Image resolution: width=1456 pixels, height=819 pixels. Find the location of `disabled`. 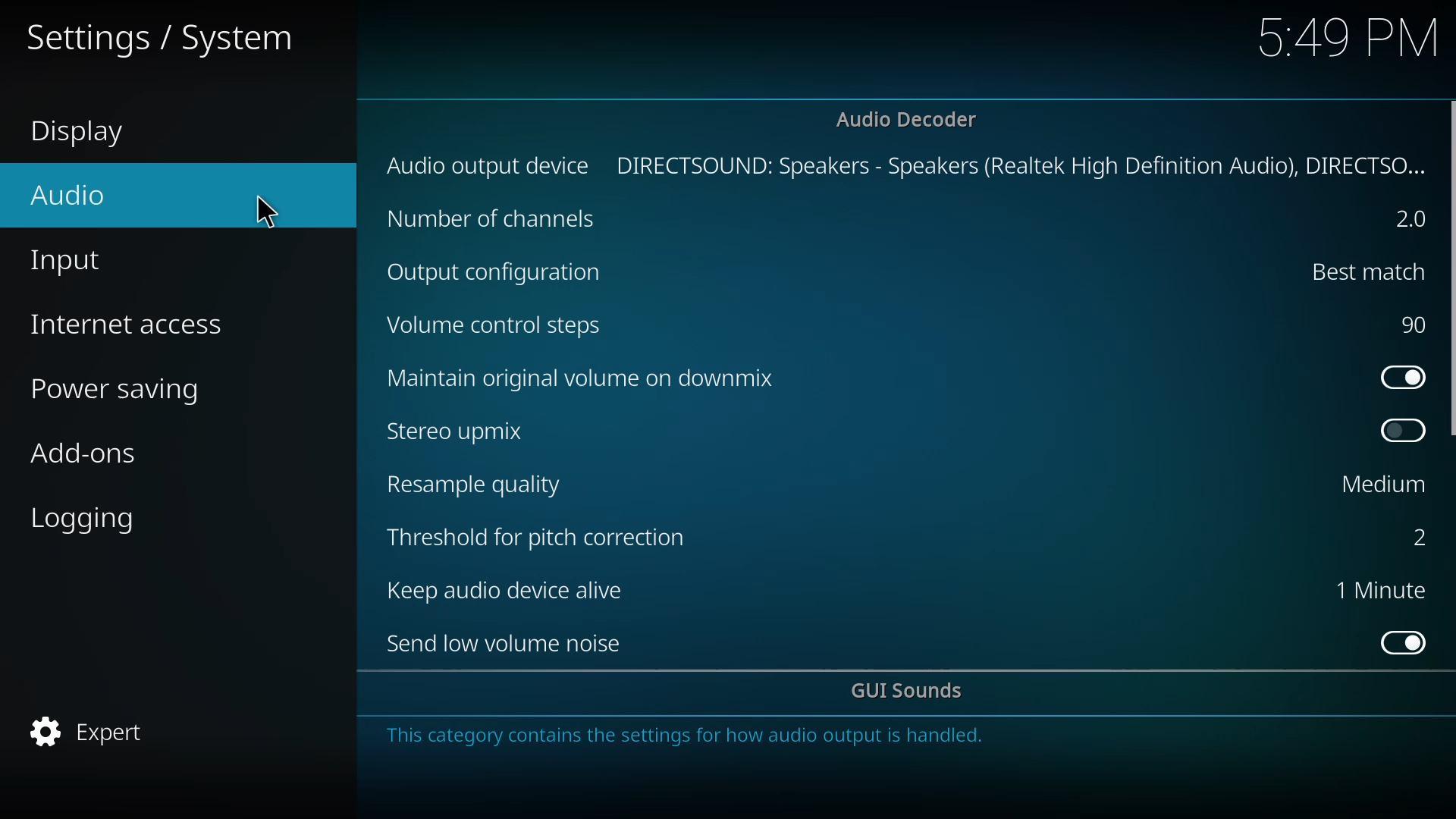

disabled is located at coordinates (1399, 430).